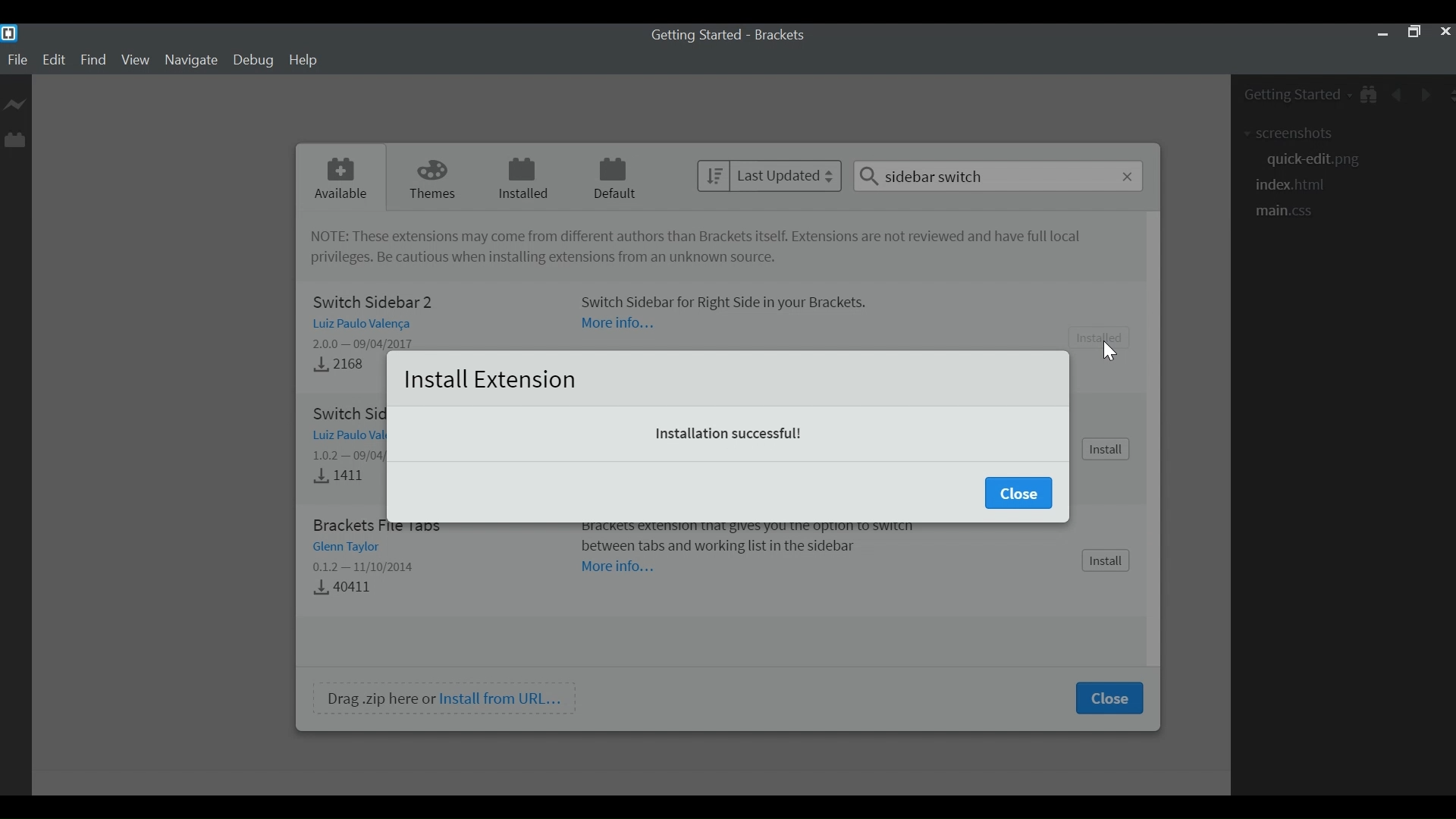 Image resolution: width=1456 pixels, height=819 pixels. Describe the element at coordinates (306, 60) in the screenshot. I see `Help` at that location.